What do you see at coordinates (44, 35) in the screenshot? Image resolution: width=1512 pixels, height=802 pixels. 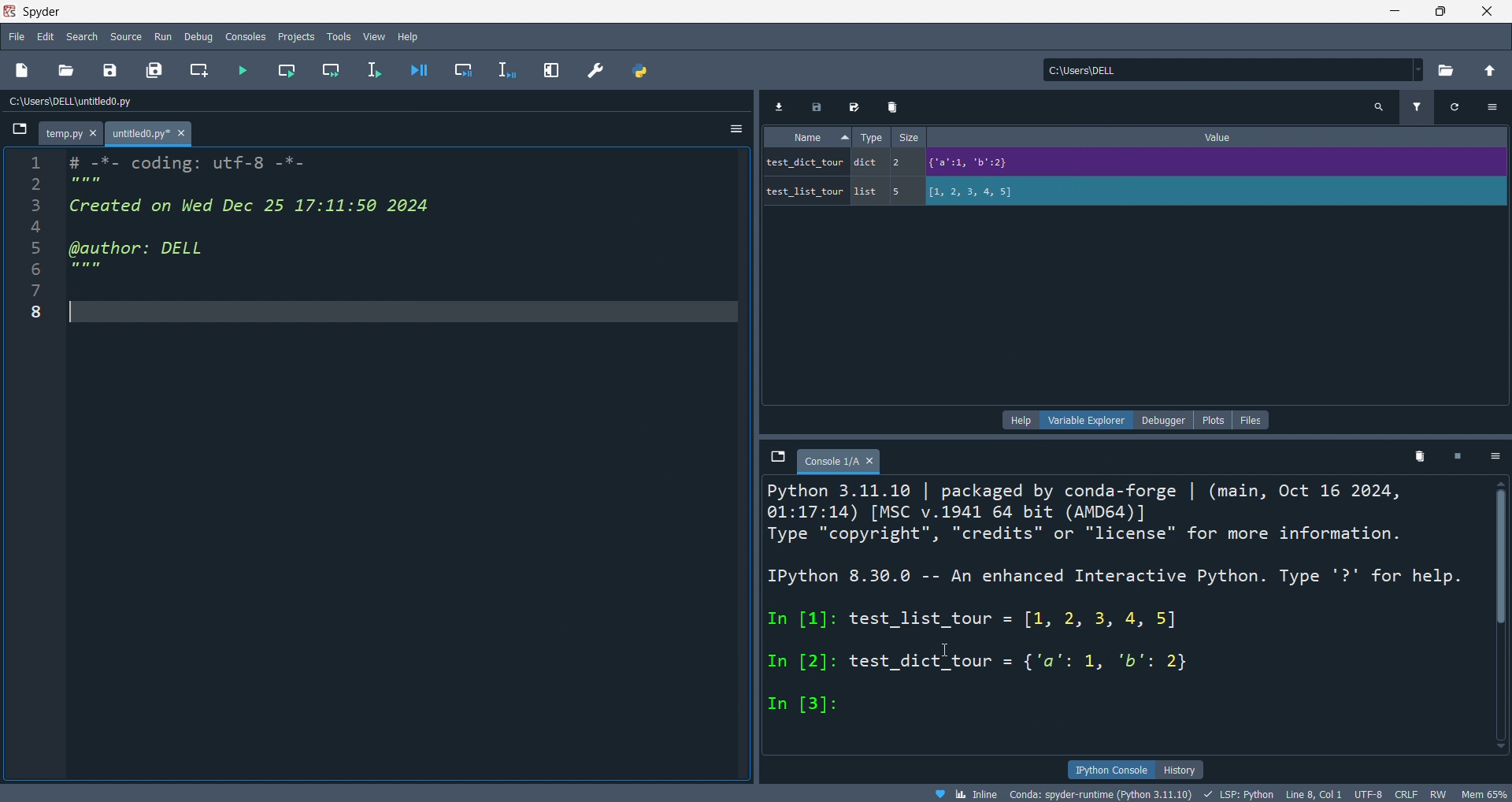 I see `edit` at bounding box center [44, 35].